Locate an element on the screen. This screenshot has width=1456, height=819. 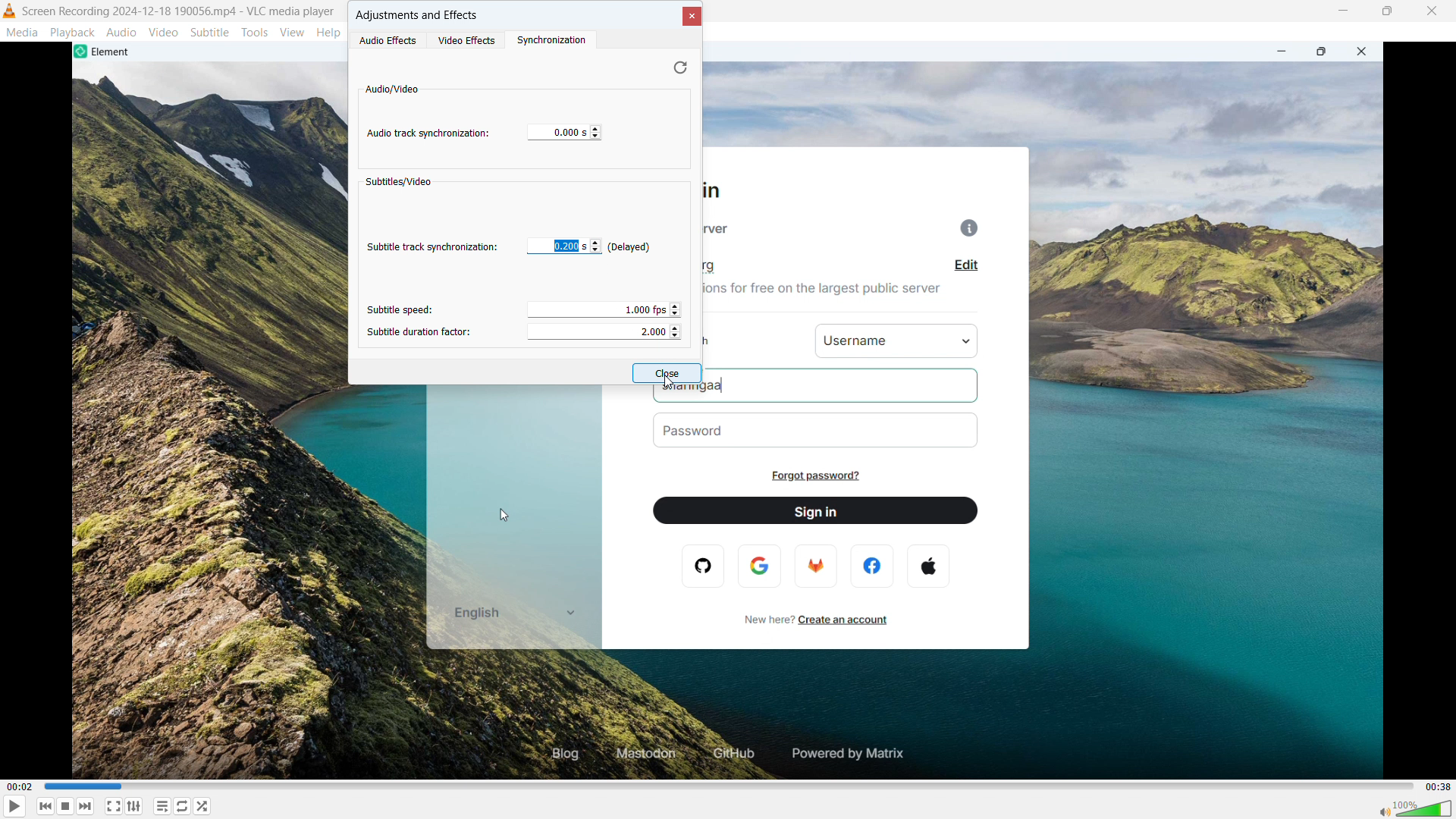
media is located at coordinates (24, 33).